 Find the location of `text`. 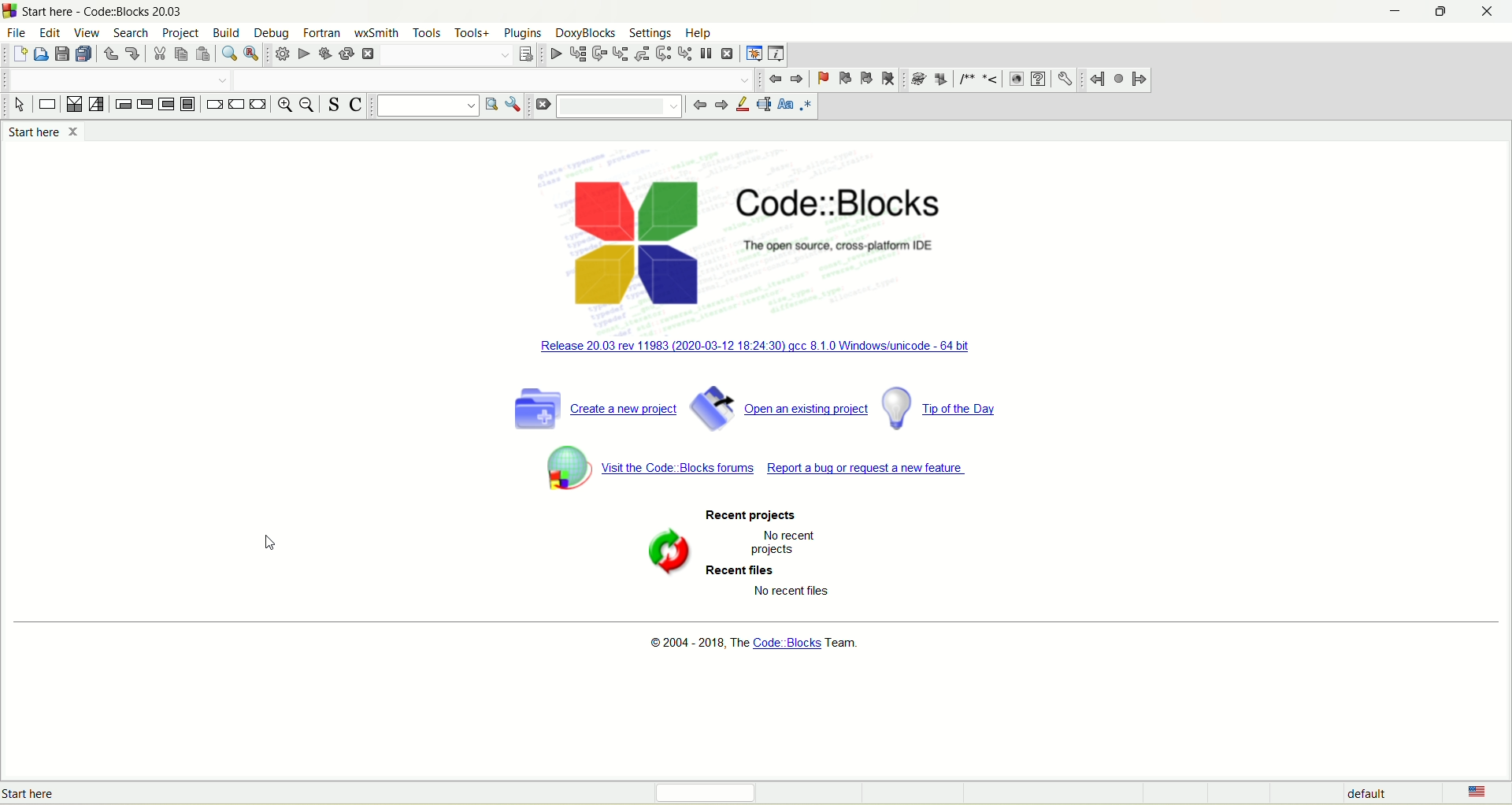

text is located at coordinates (847, 248).